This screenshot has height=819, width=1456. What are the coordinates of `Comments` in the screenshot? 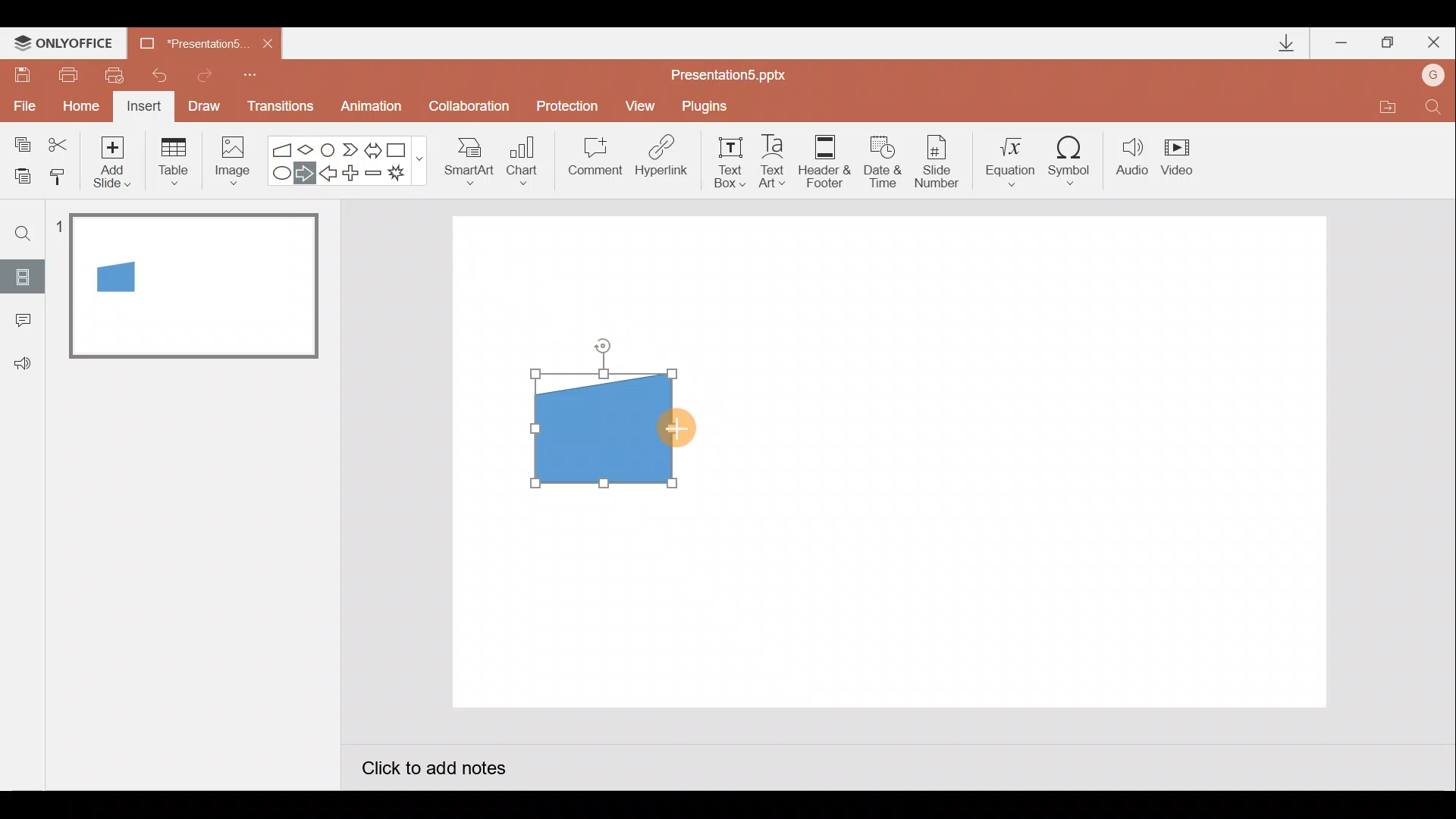 It's located at (19, 322).